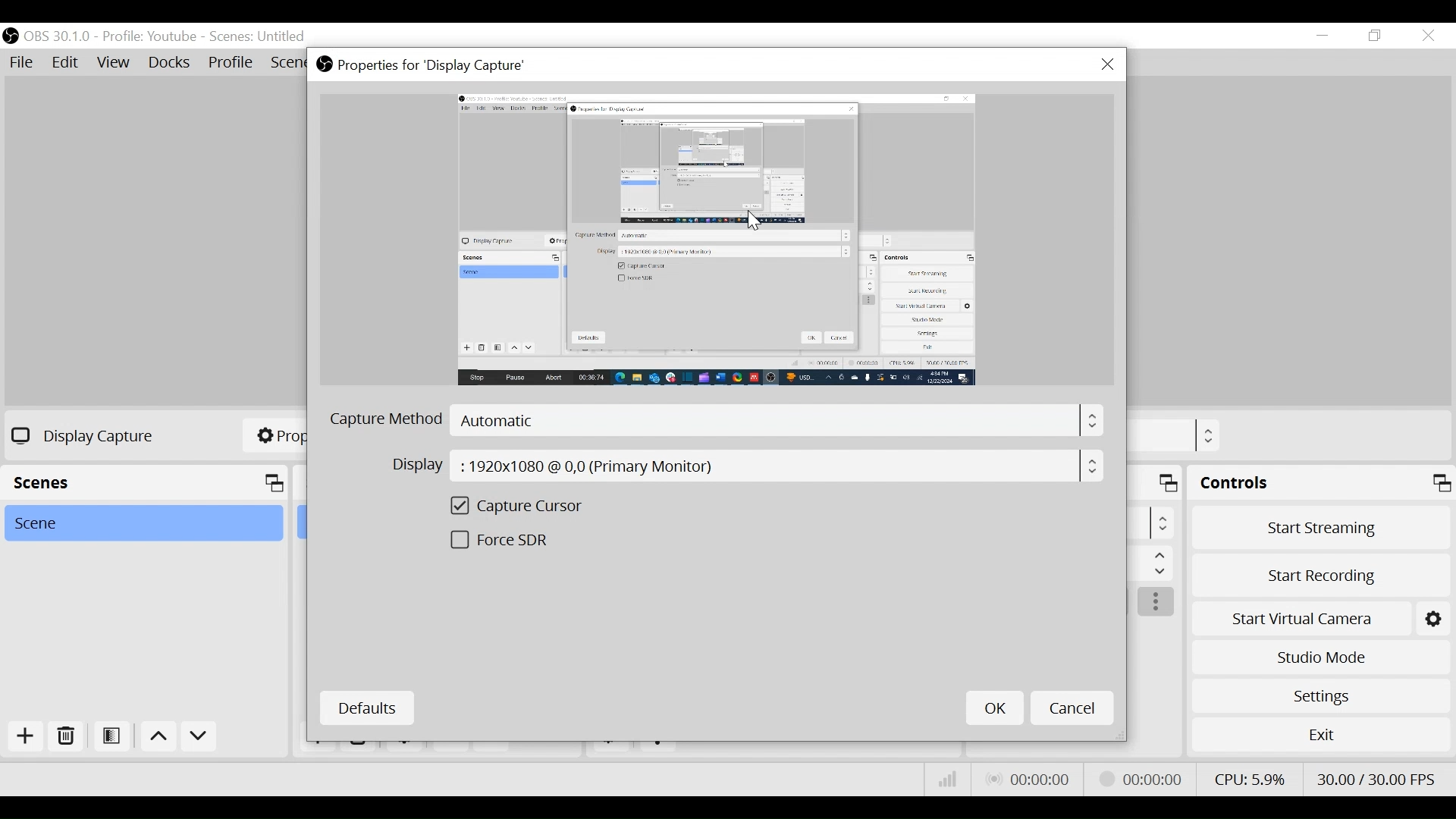 This screenshot has height=819, width=1456. I want to click on Defaults, so click(366, 709).